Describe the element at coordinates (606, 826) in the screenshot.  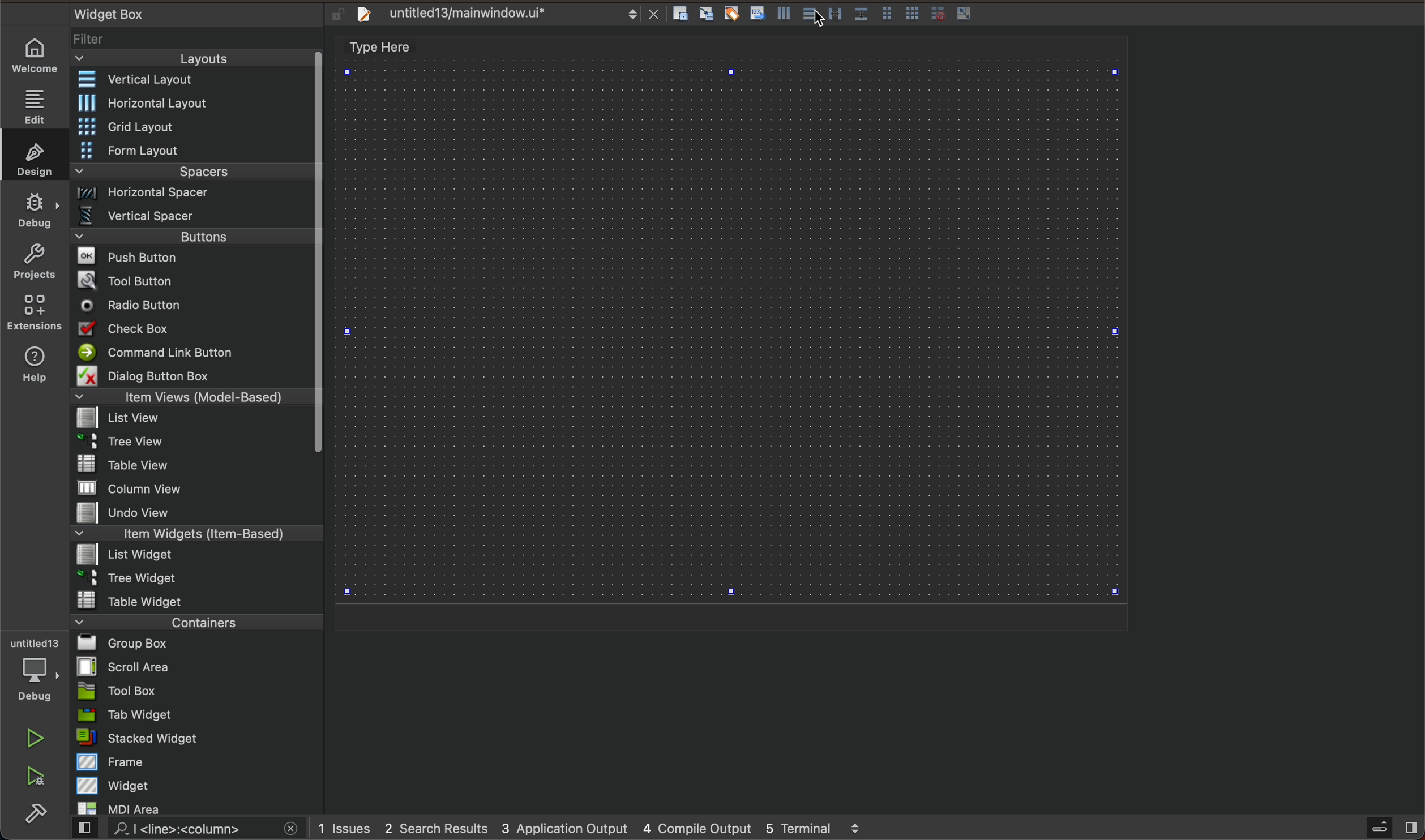
I see `logs` at that location.